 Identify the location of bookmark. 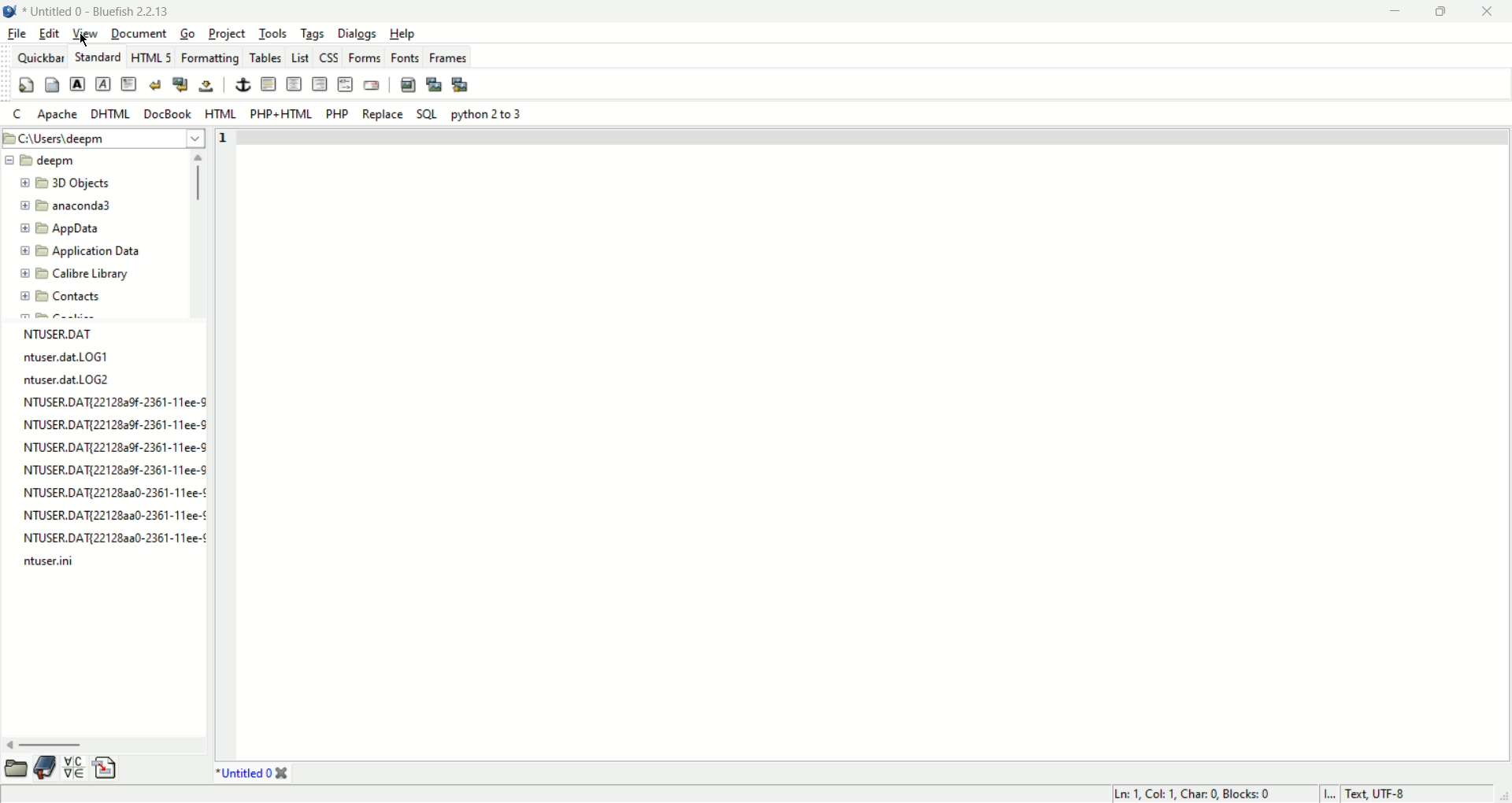
(48, 768).